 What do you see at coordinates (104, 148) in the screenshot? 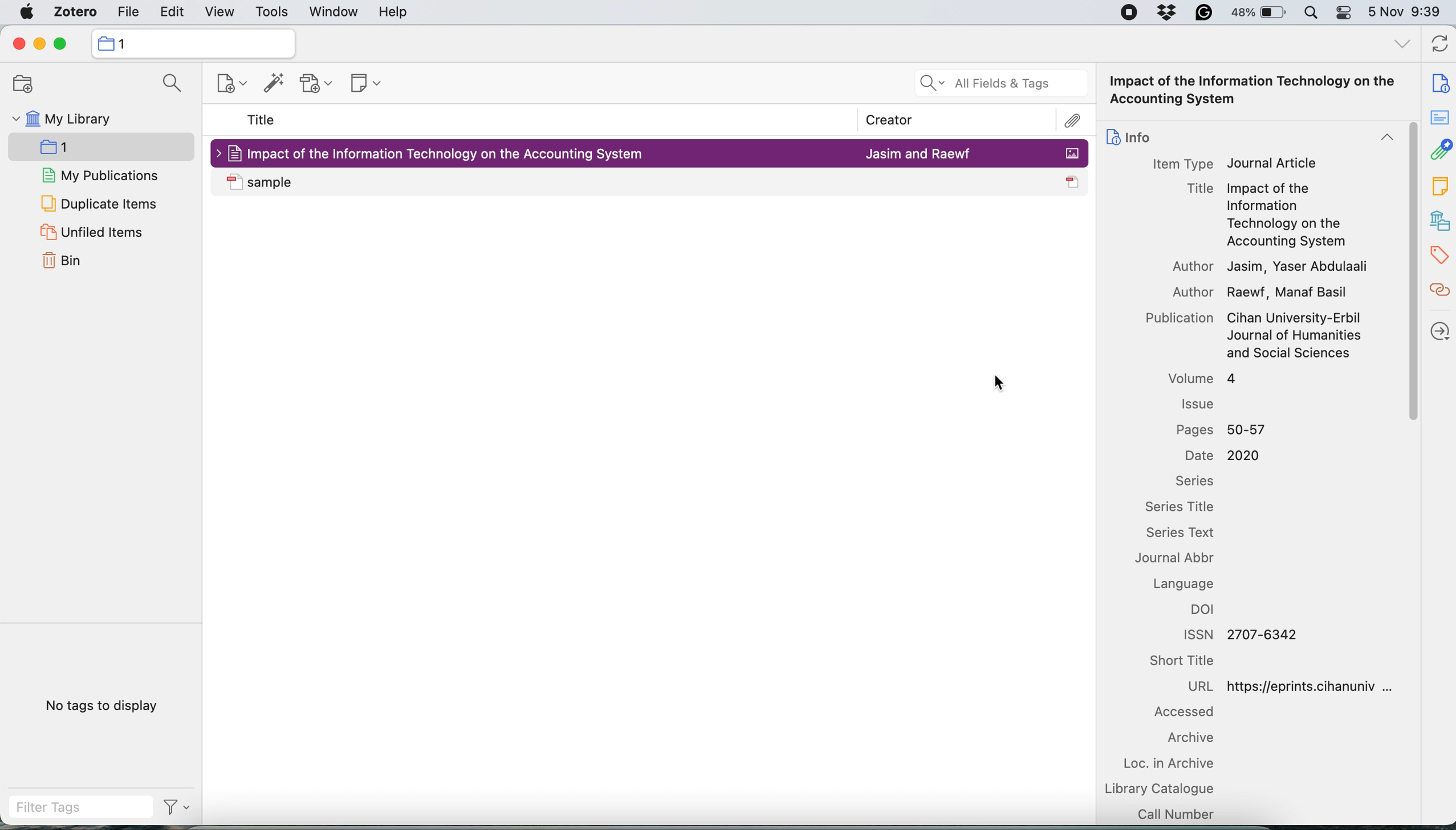
I see `1` at bounding box center [104, 148].